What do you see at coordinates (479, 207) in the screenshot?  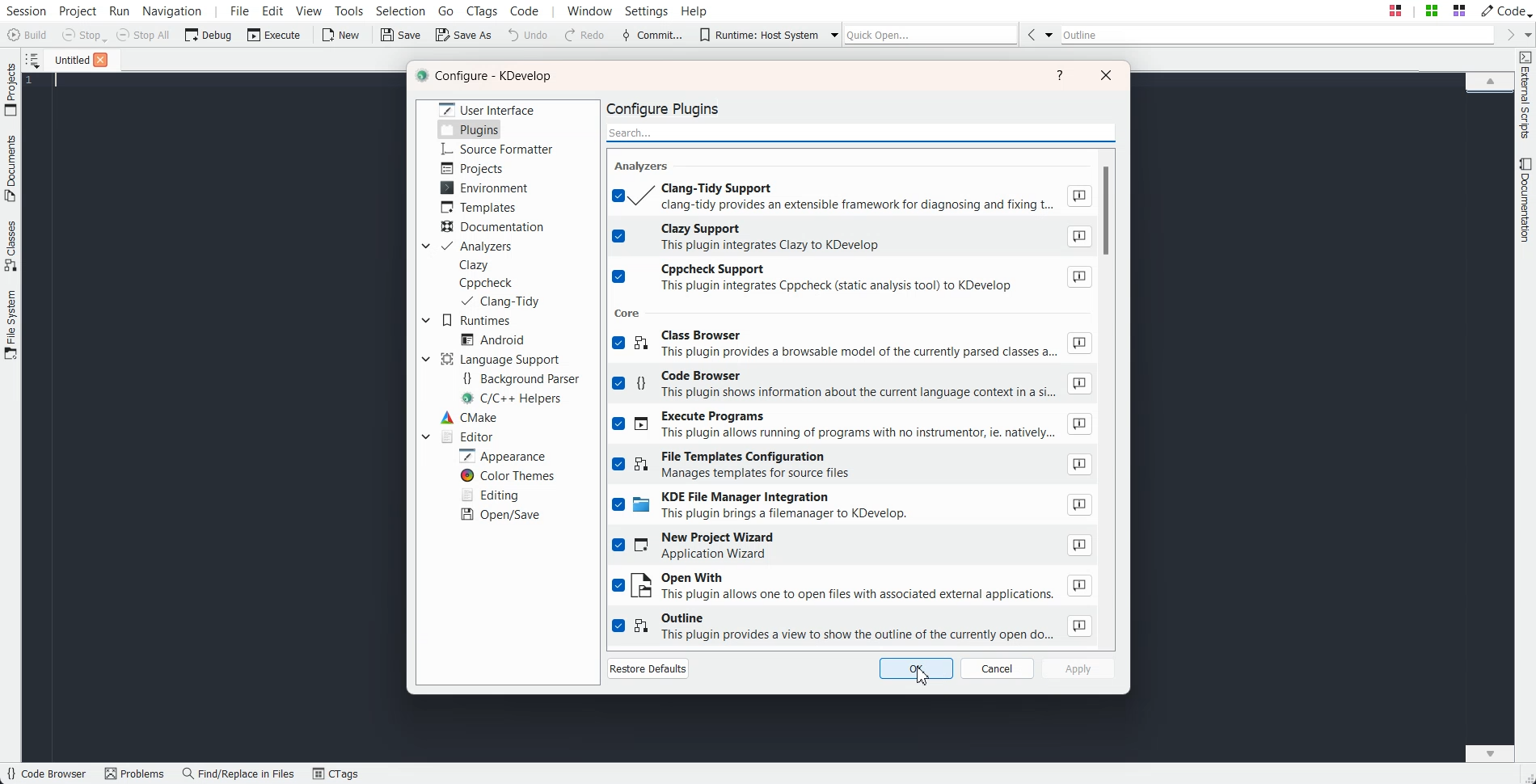 I see `Templates` at bounding box center [479, 207].